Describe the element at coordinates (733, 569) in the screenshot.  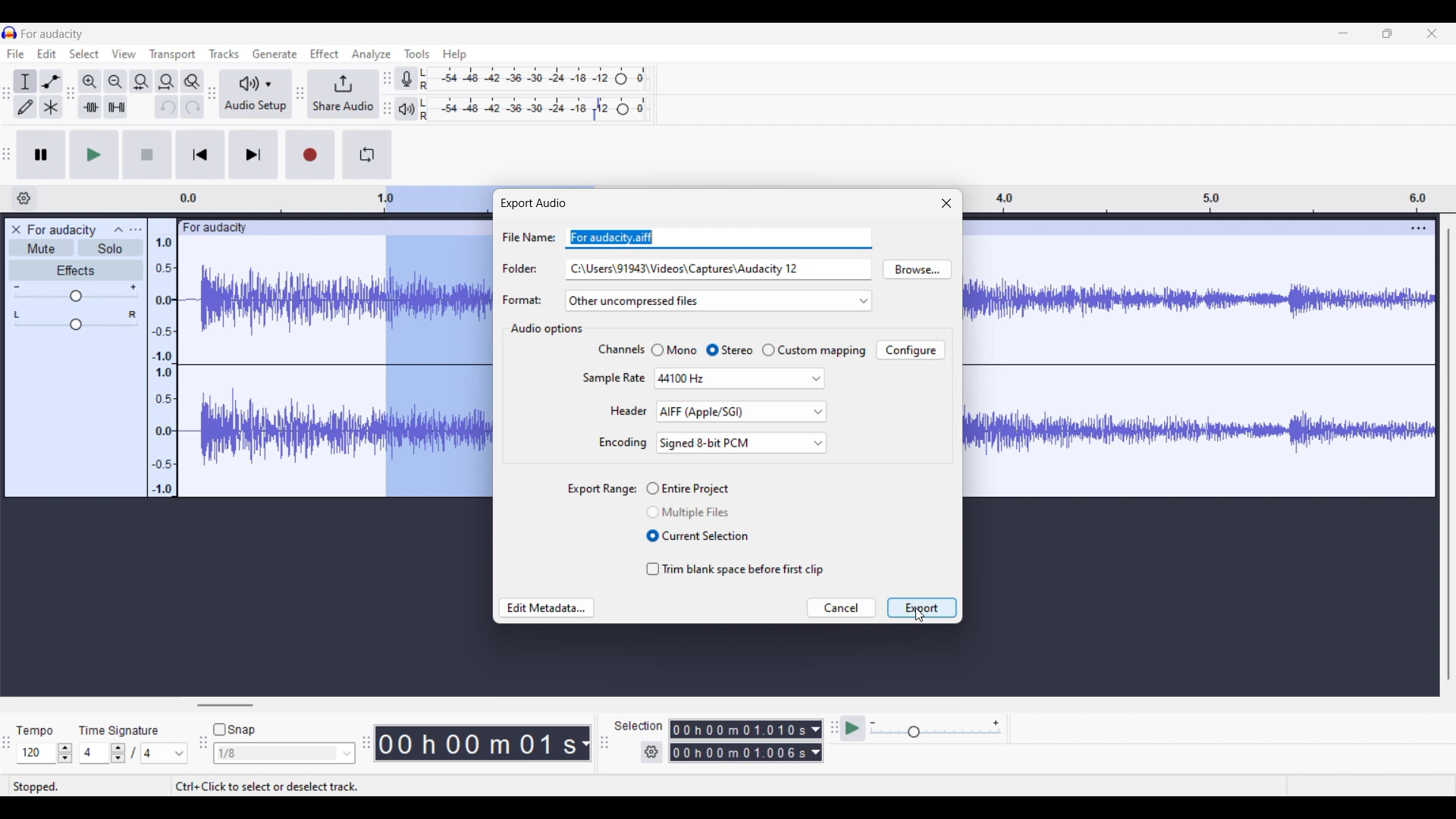
I see `Toggle for trim black space` at that location.